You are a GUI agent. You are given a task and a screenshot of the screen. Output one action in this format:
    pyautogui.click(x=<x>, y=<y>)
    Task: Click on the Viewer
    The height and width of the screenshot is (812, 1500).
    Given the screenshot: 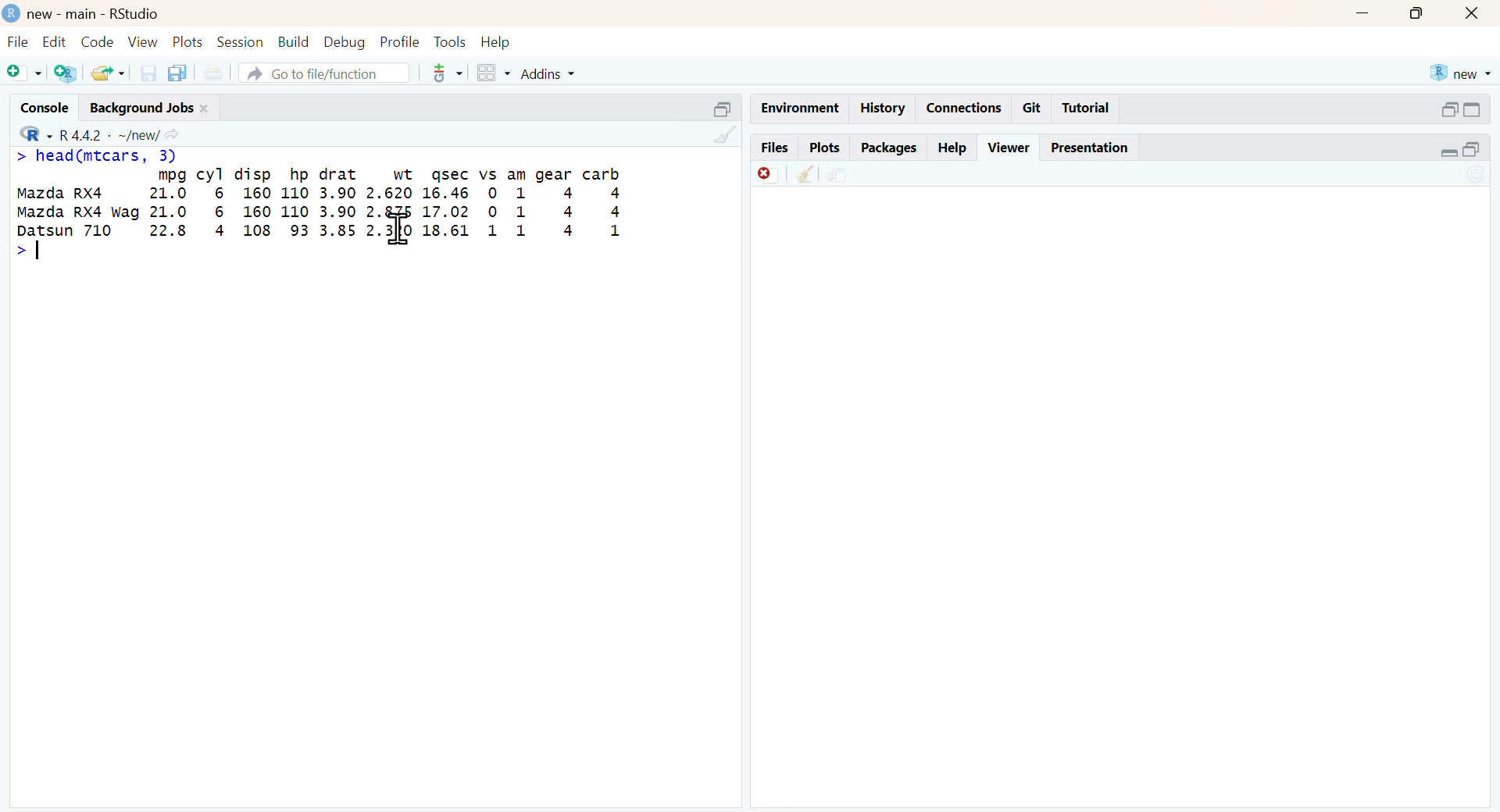 What is the action you would take?
    pyautogui.click(x=1009, y=145)
    